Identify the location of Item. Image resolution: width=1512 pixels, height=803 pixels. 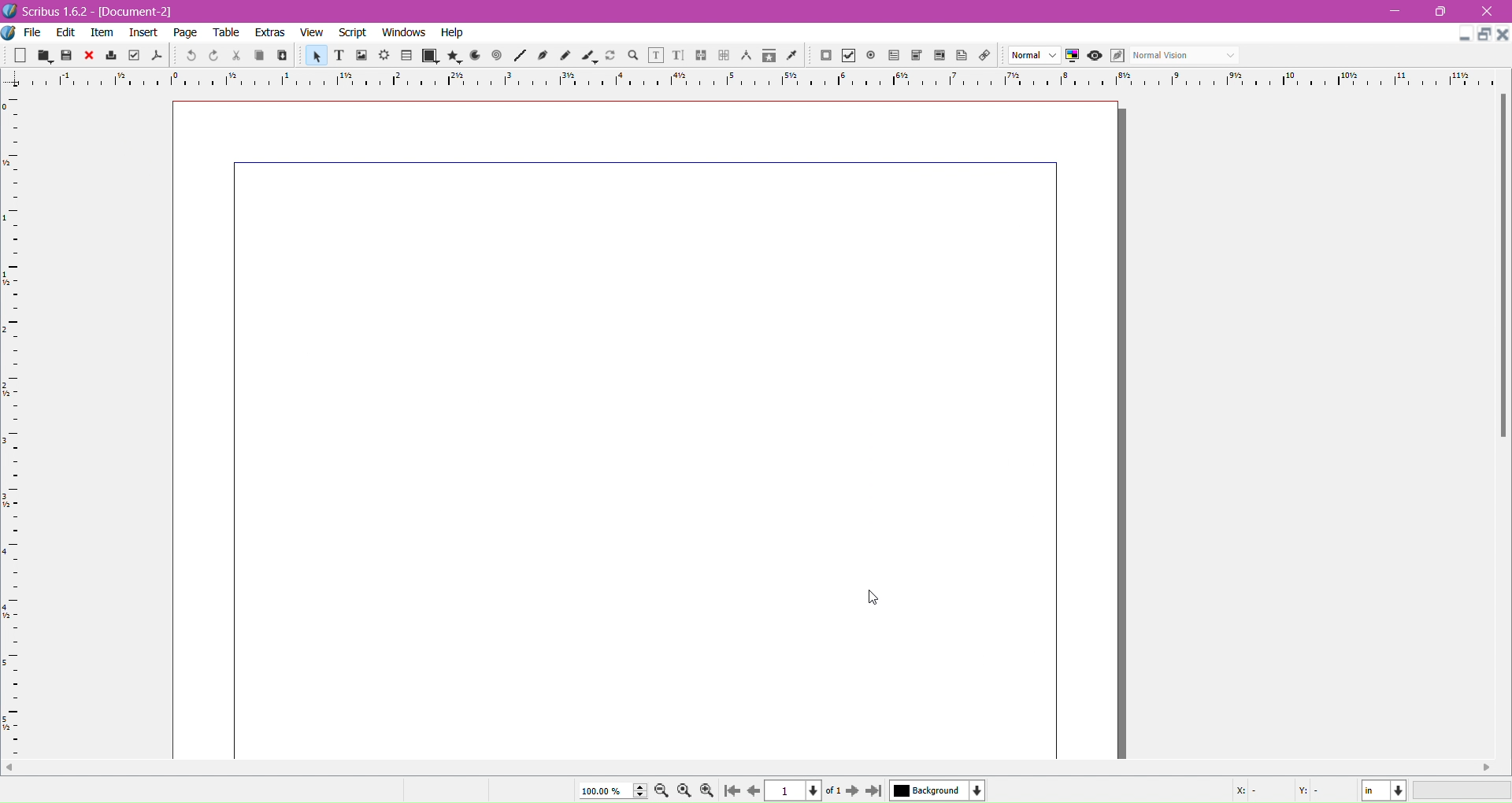
(105, 34).